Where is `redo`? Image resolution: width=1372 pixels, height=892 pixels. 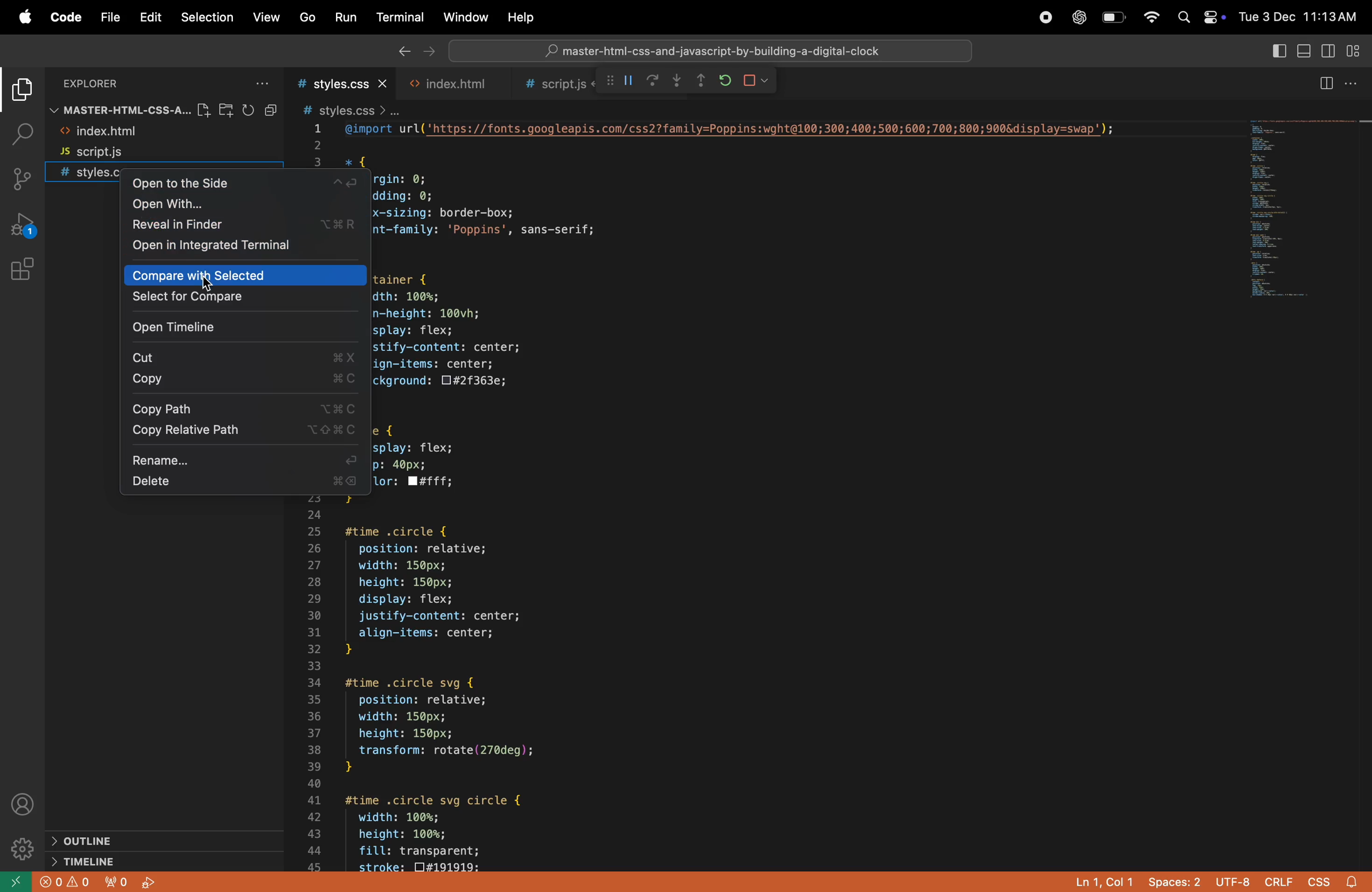 redo is located at coordinates (652, 82).